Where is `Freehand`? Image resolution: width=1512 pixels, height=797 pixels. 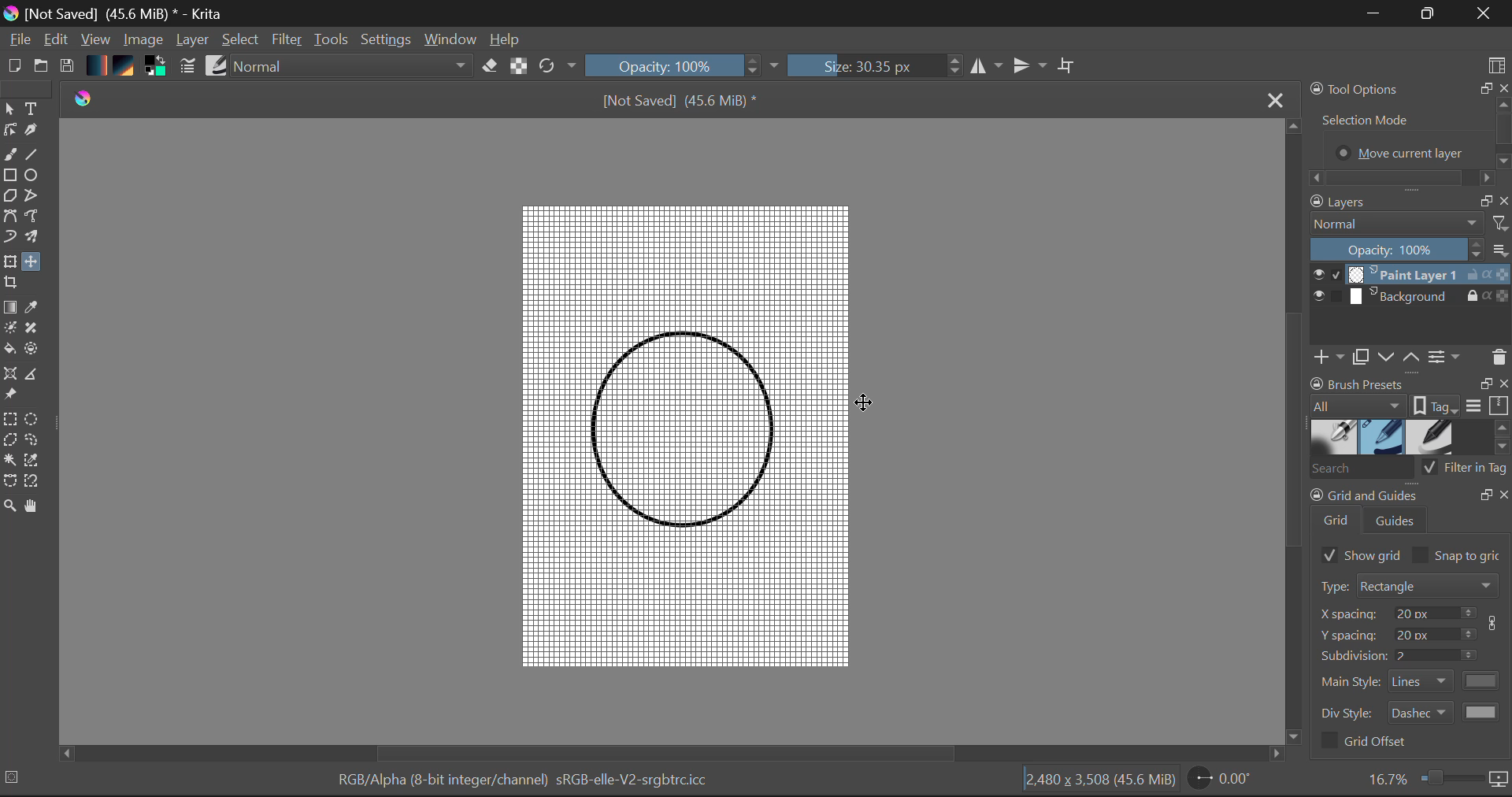 Freehand is located at coordinates (9, 155).